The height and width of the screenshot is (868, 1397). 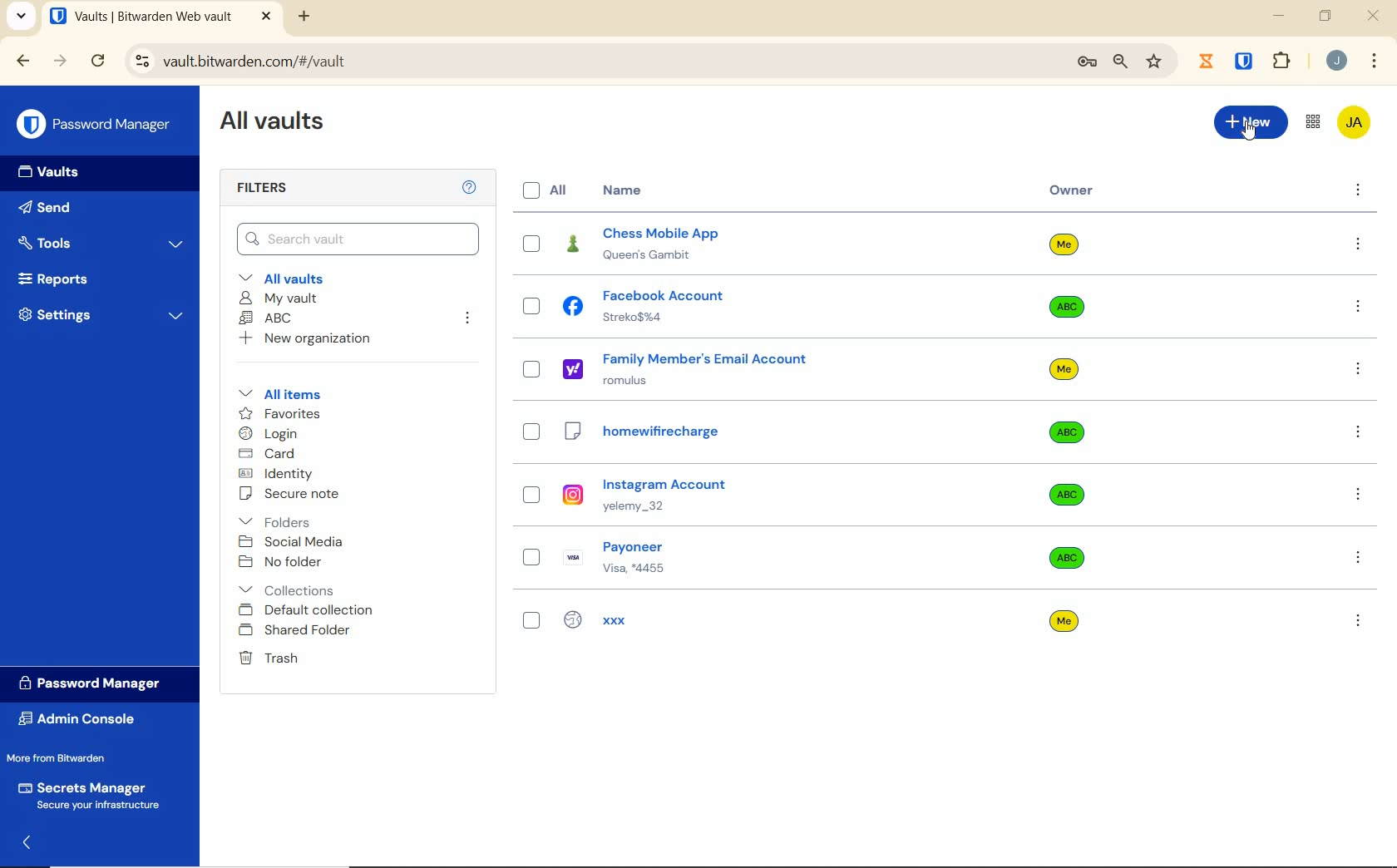 What do you see at coordinates (95, 683) in the screenshot?
I see `Password Manager` at bounding box center [95, 683].